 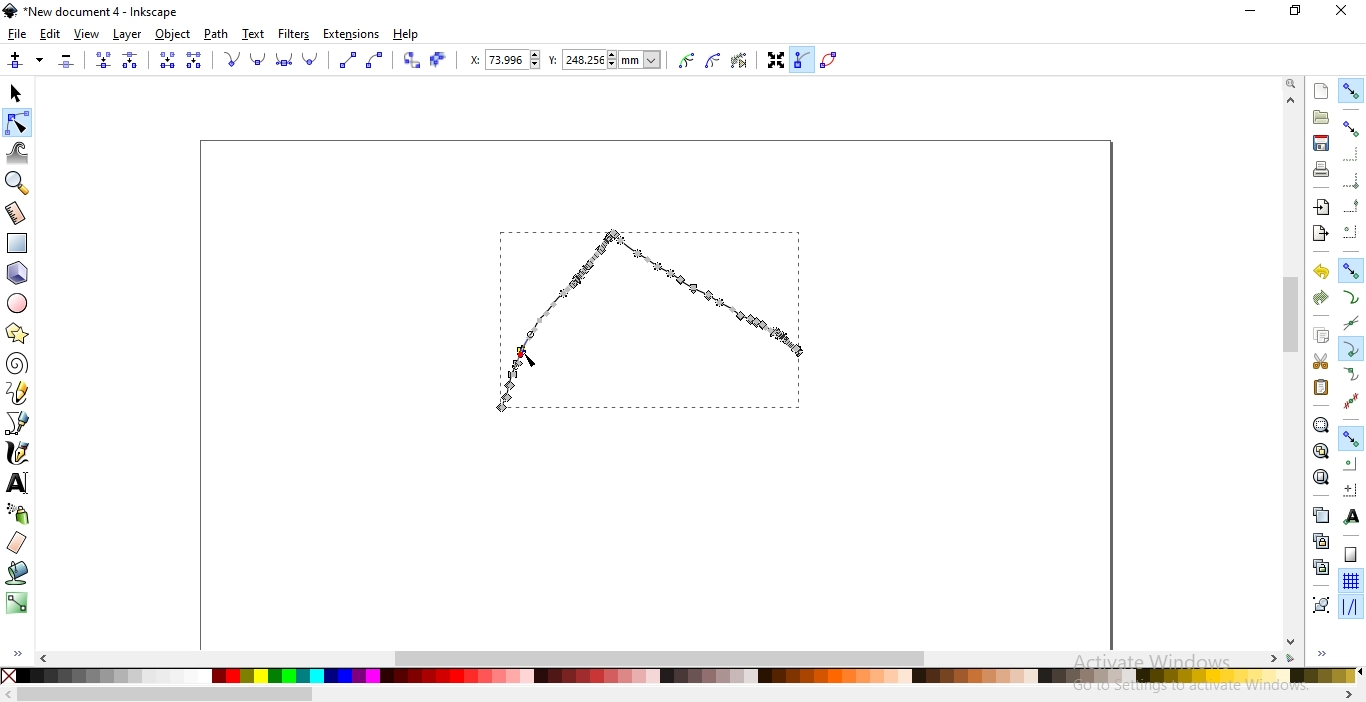 I want to click on make selected nodes smooth, so click(x=260, y=60).